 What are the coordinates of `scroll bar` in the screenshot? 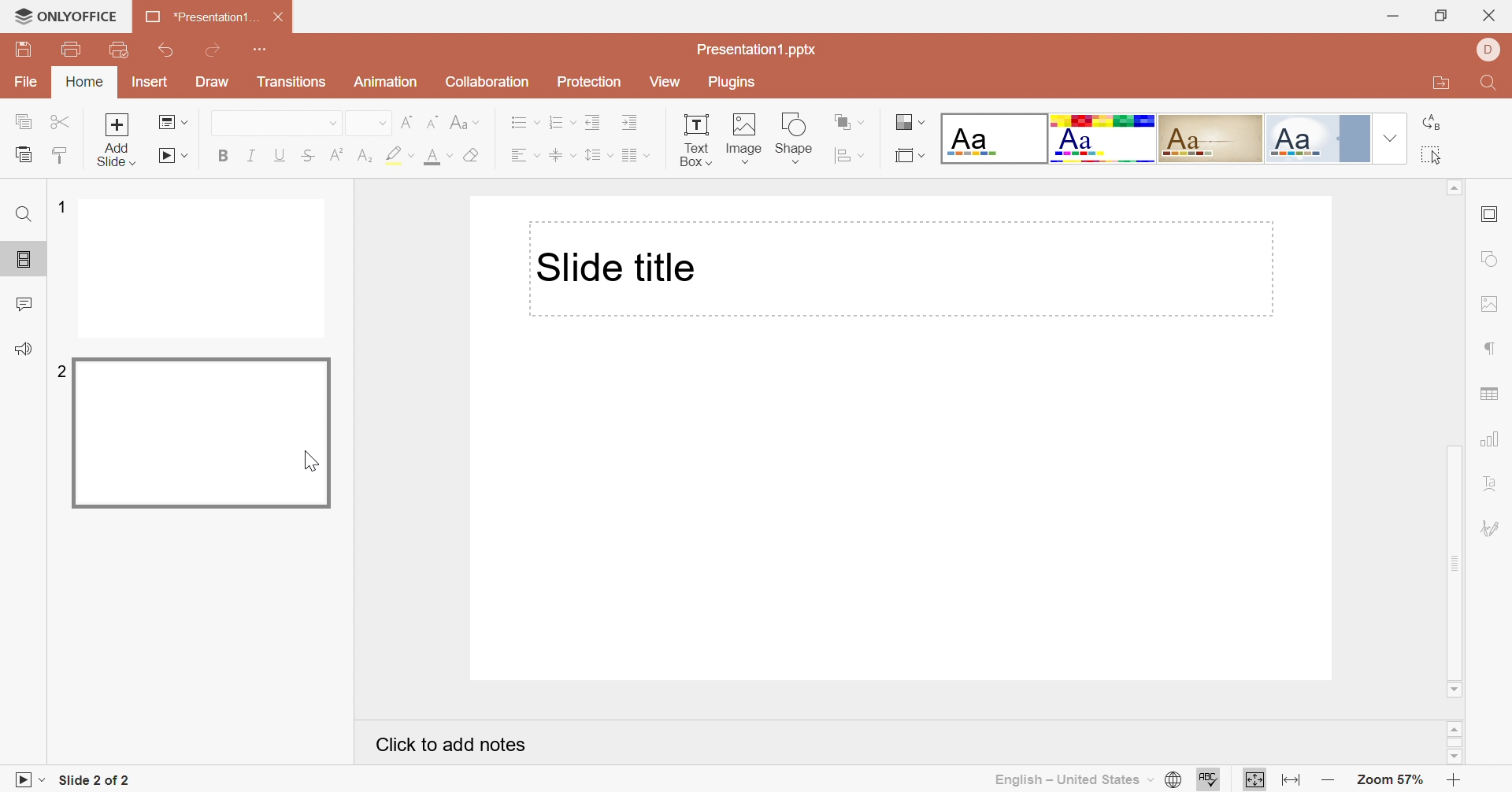 It's located at (1455, 439).